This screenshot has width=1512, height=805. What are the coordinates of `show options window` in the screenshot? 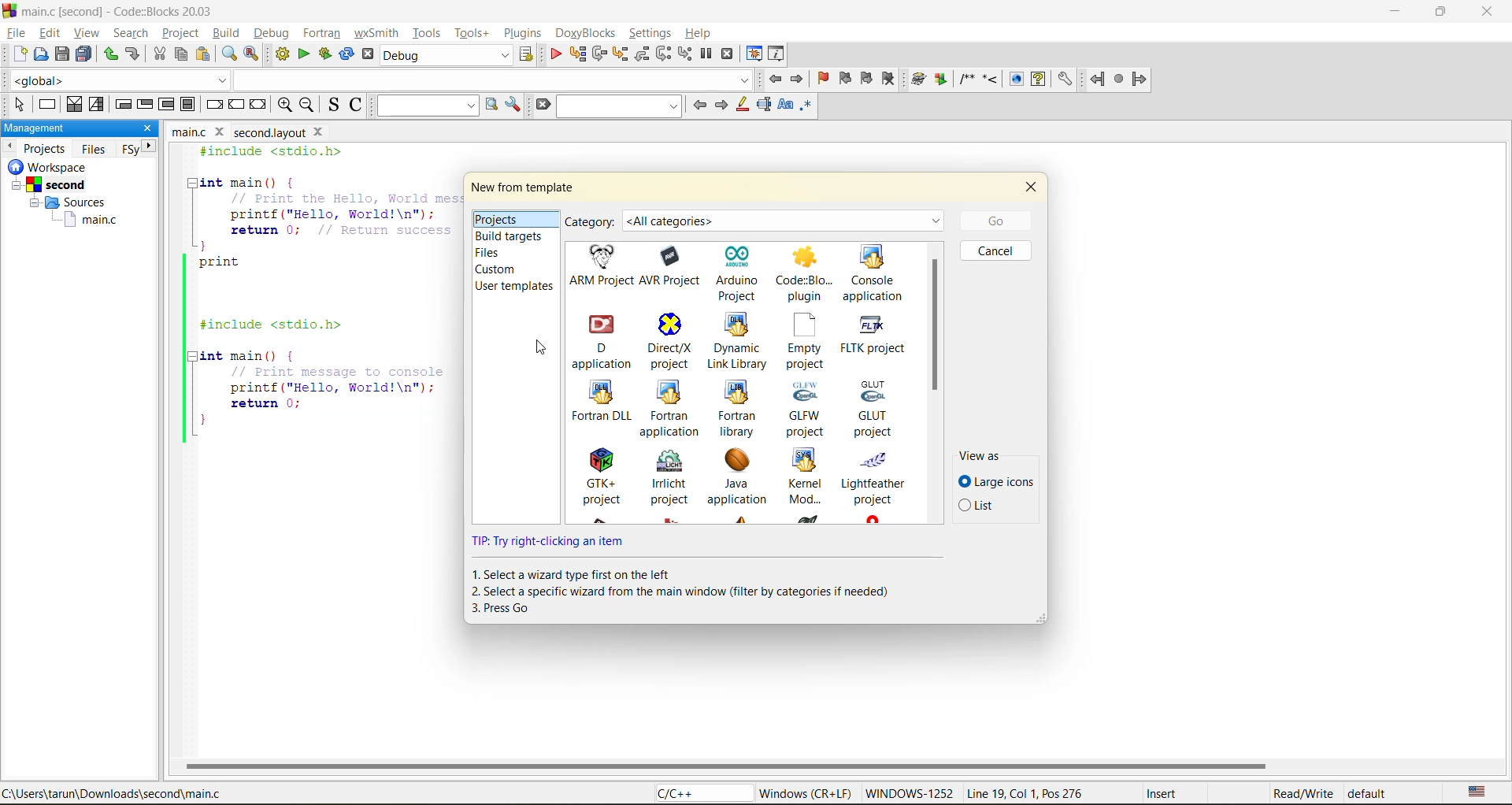 It's located at (516, 106).